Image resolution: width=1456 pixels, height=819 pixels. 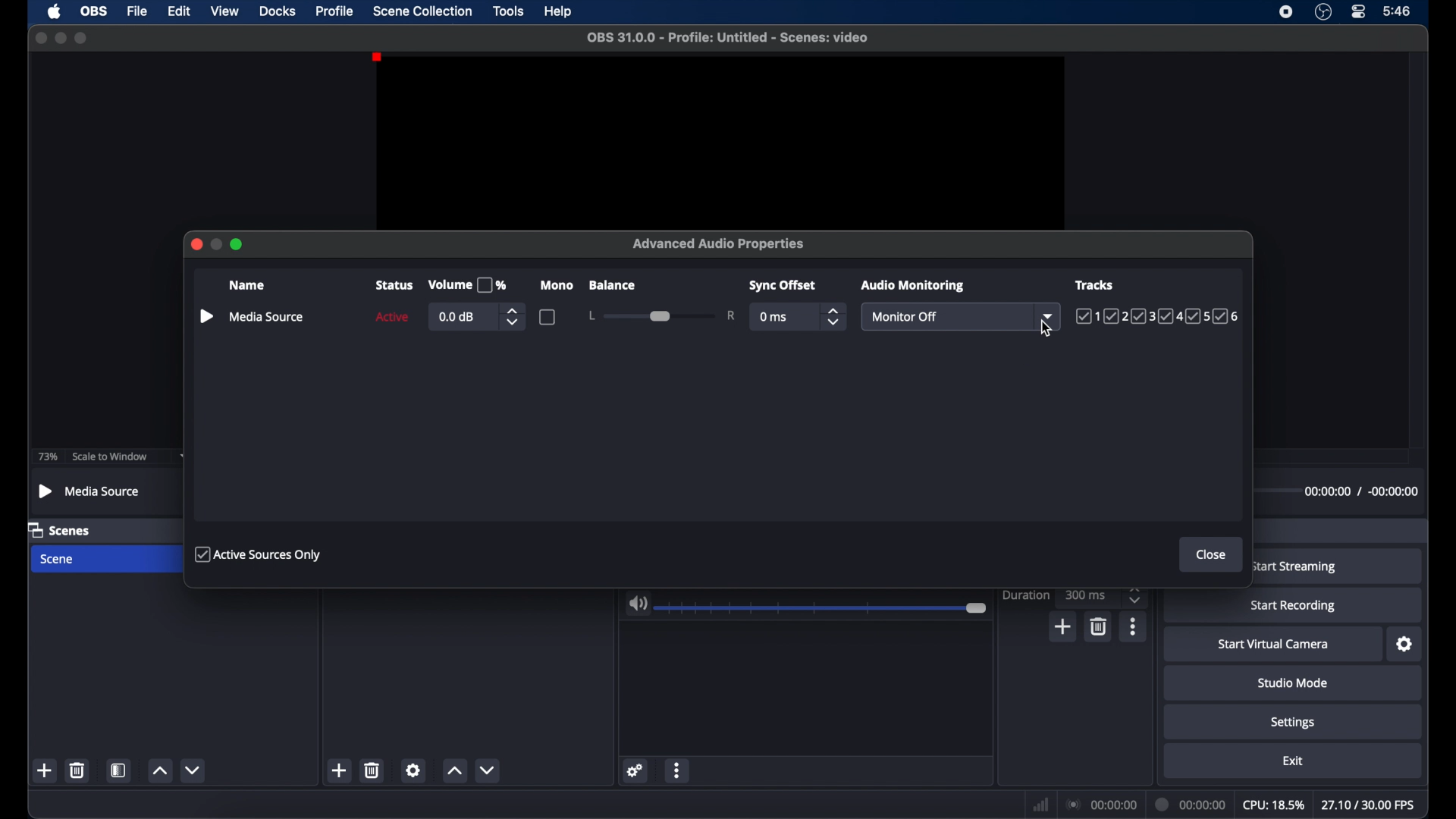 What do you see at coordinates (45, 771) in the screenshot?
I see `add` at bounding box center [45, 771].